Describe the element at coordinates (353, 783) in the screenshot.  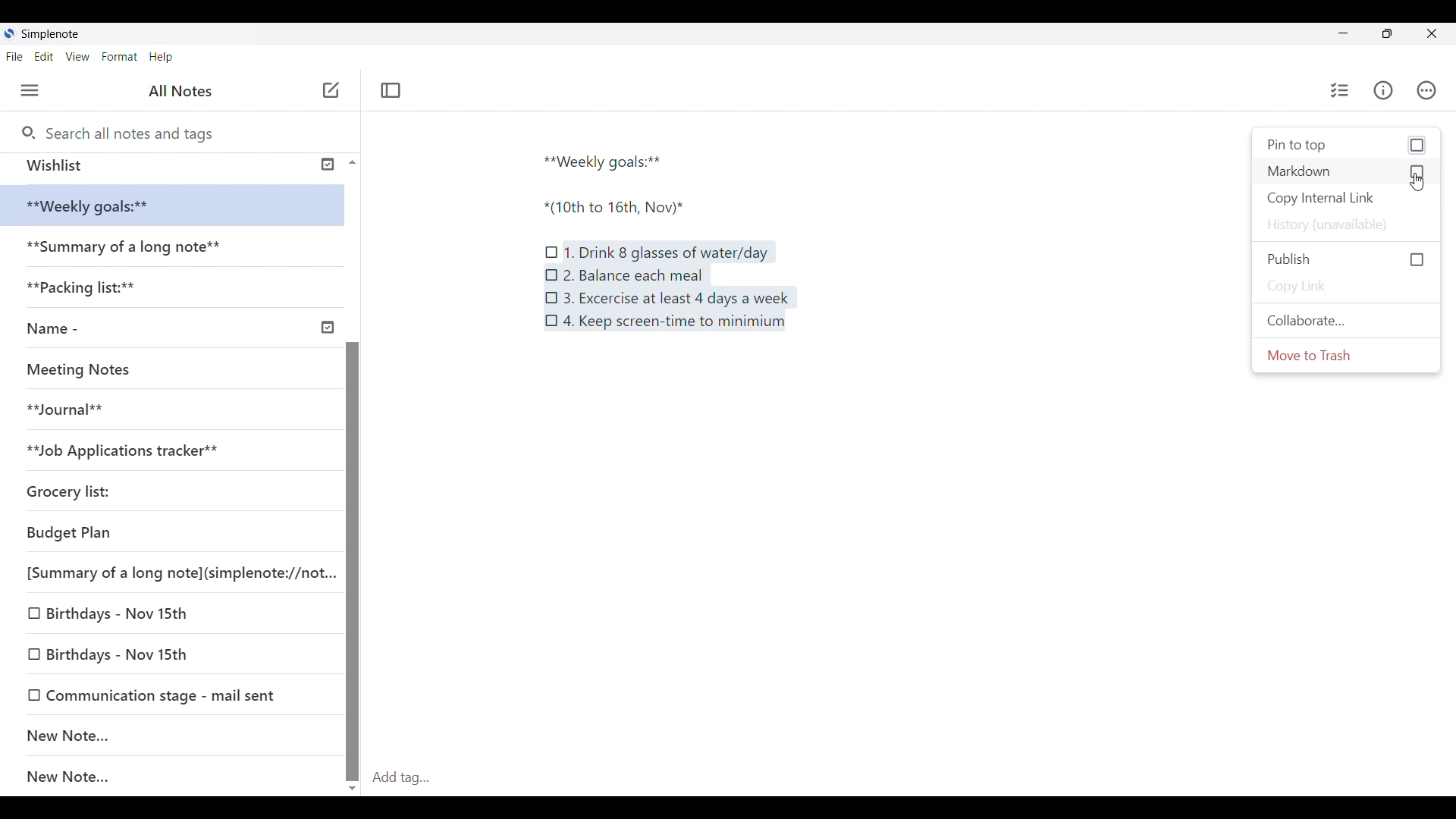
I see `scroll down button` at that location.